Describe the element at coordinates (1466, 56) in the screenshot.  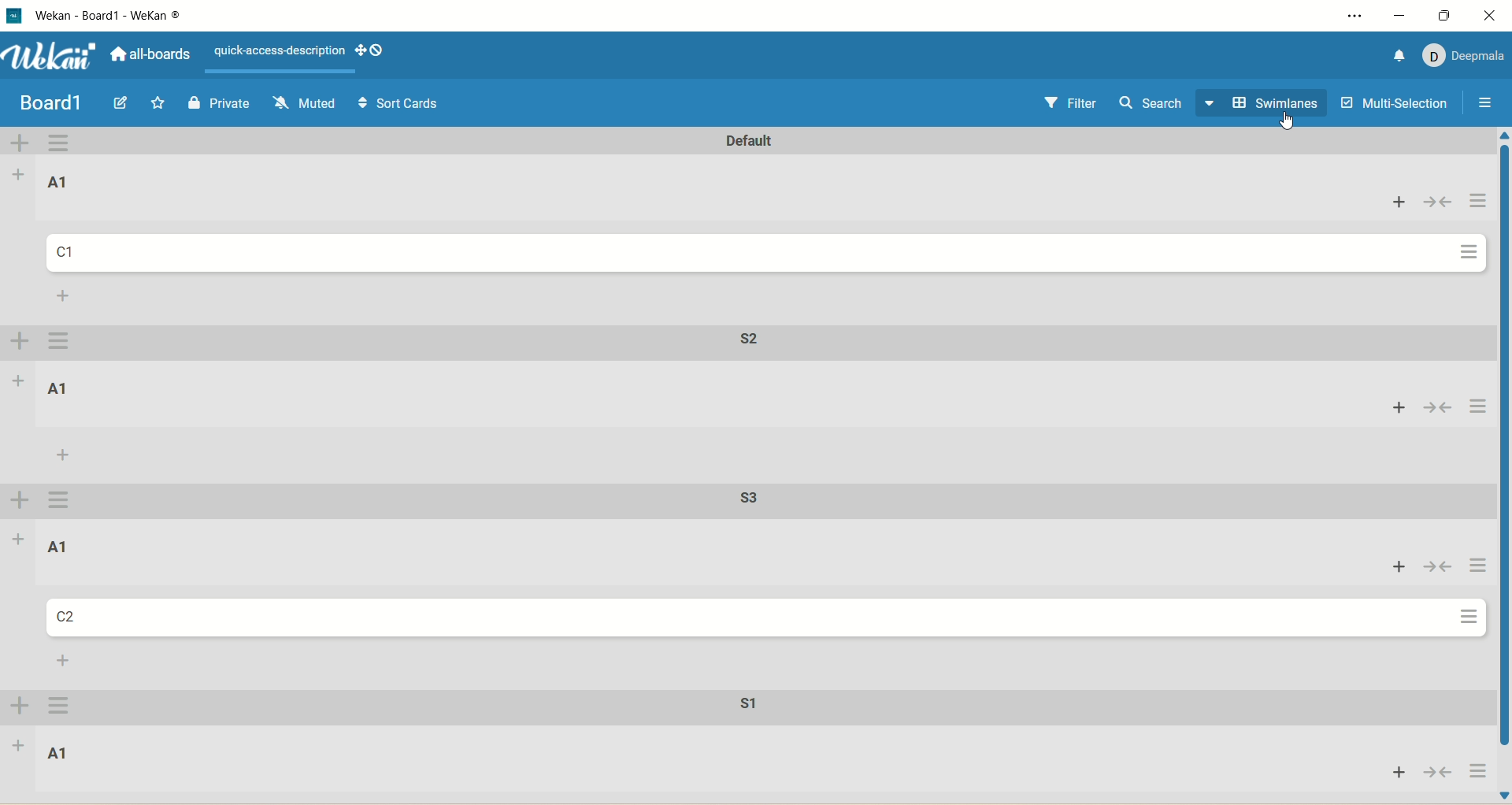
I see `account` at that location.